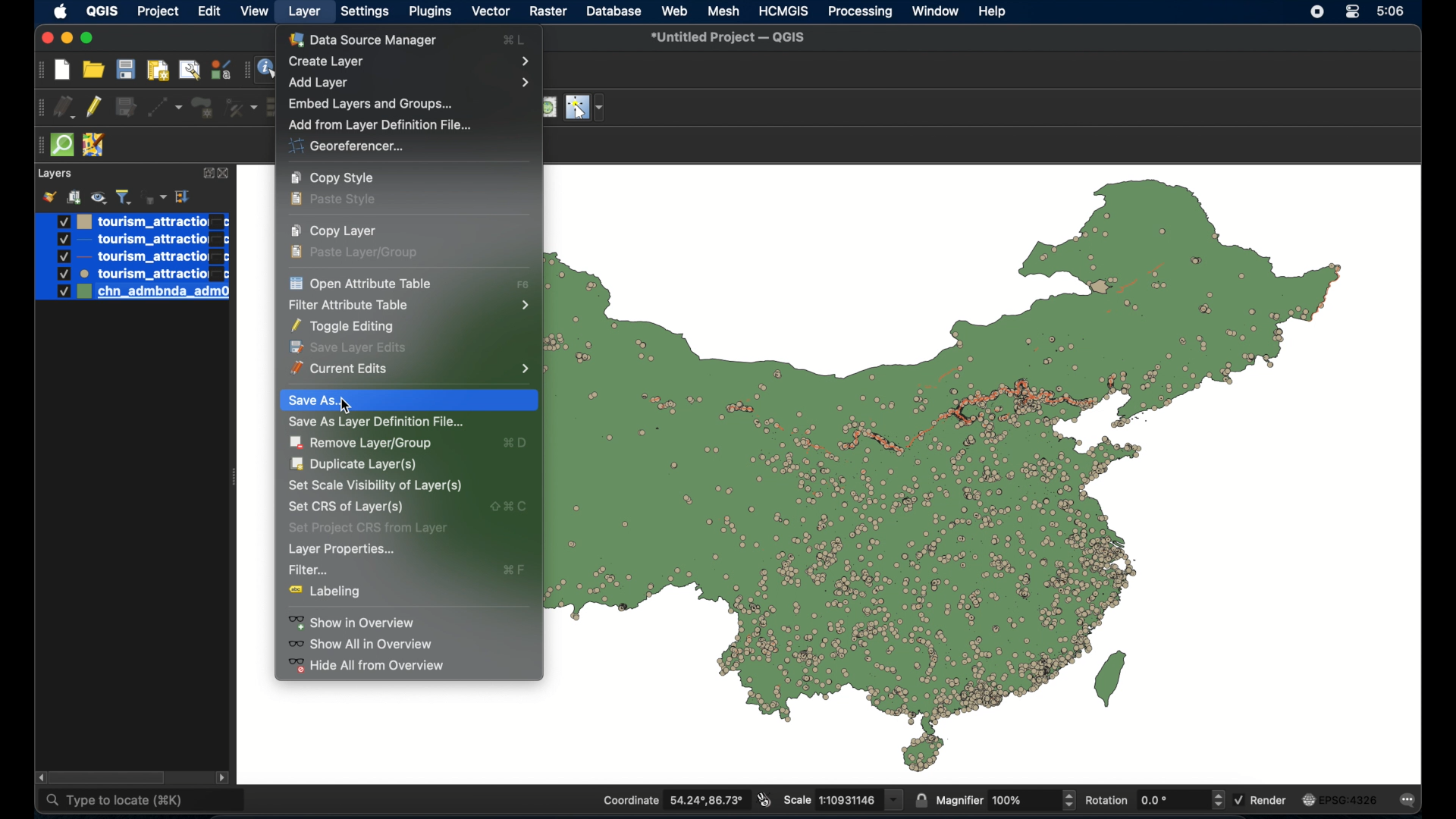 The width and height of the screenshot is (1456, 819). I want to click on style manager, so click(219, 68).